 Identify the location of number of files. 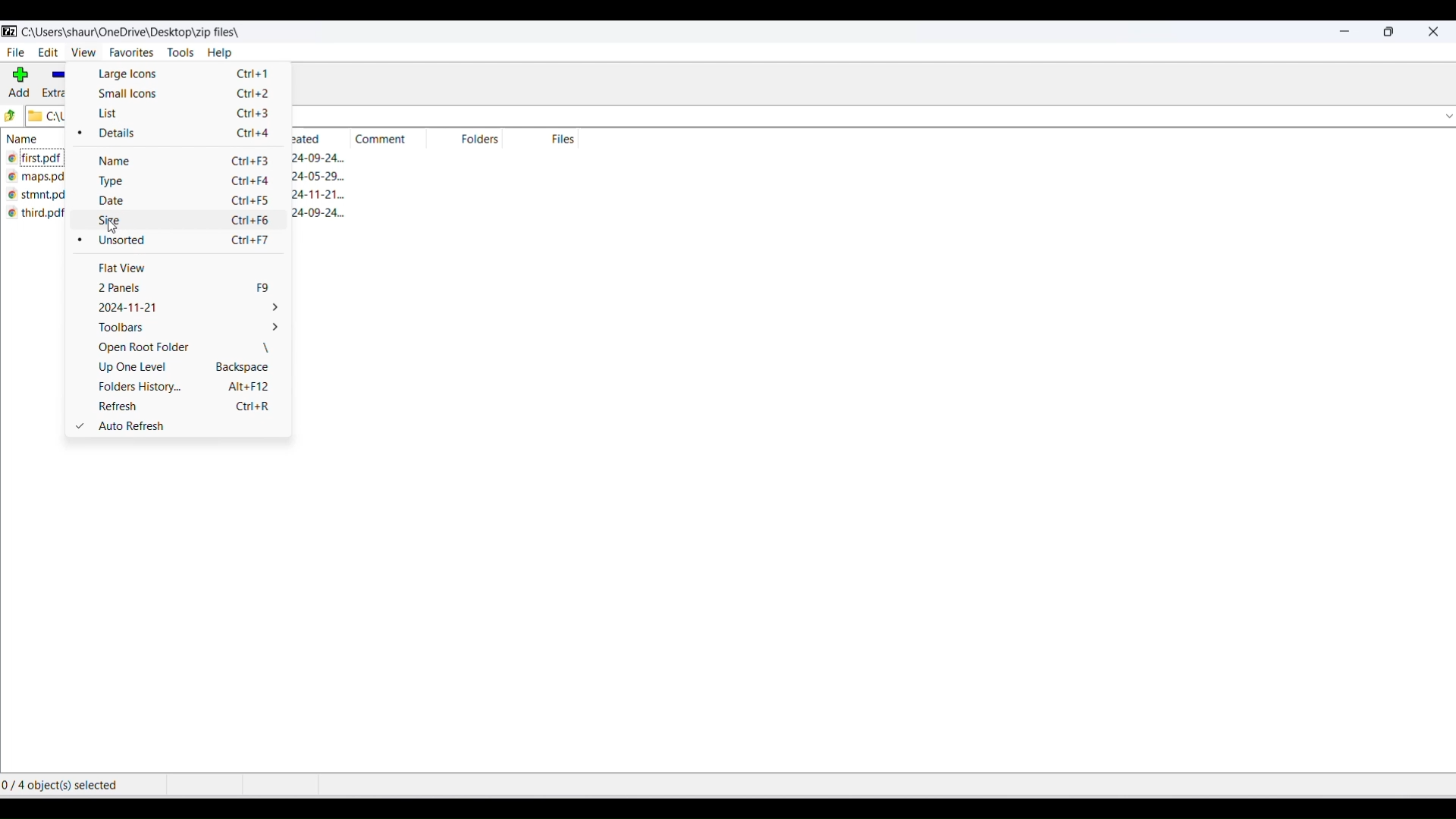
(566, 140).